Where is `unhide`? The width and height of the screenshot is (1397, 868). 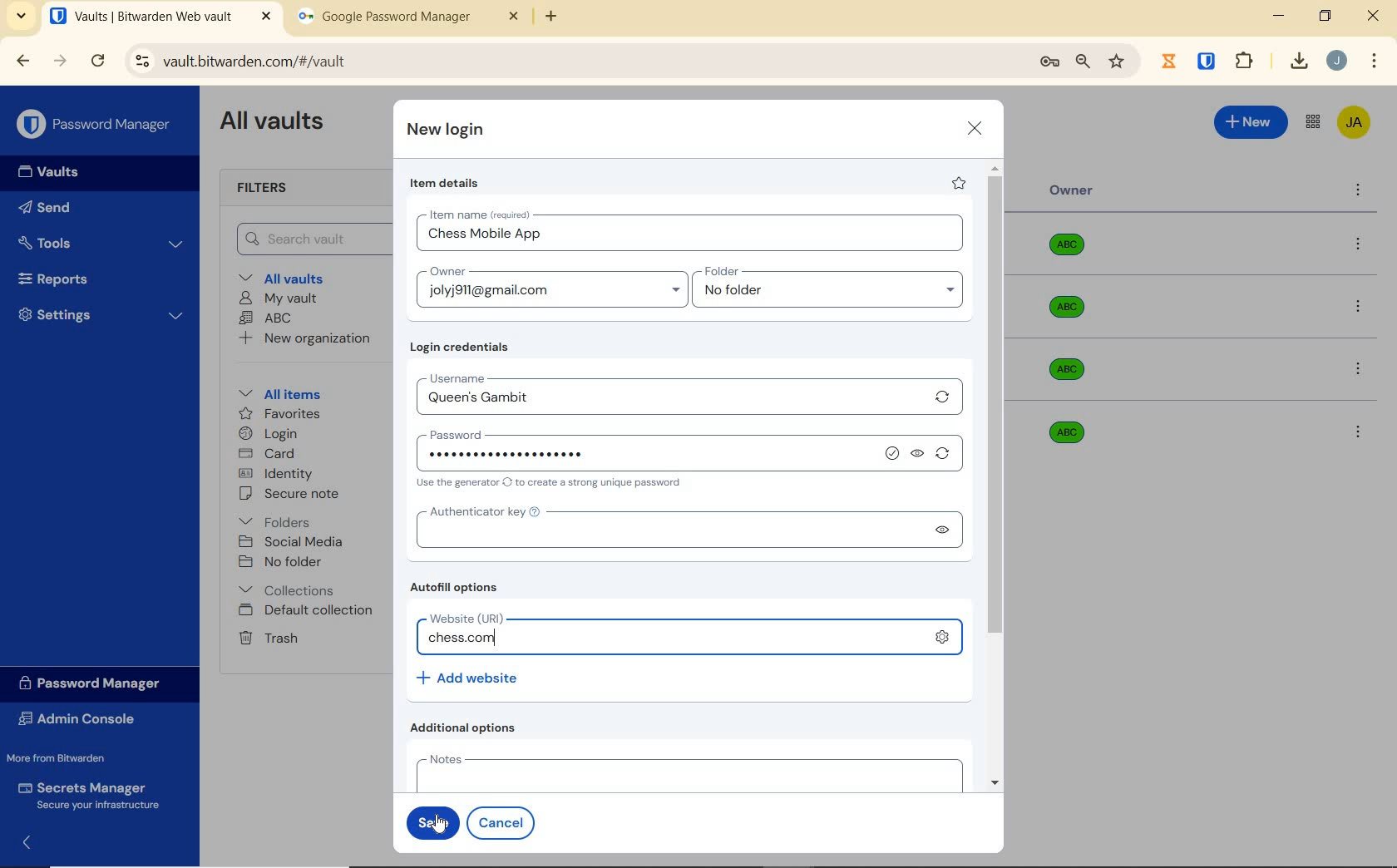 unhide is located at coordinates (919, 455).